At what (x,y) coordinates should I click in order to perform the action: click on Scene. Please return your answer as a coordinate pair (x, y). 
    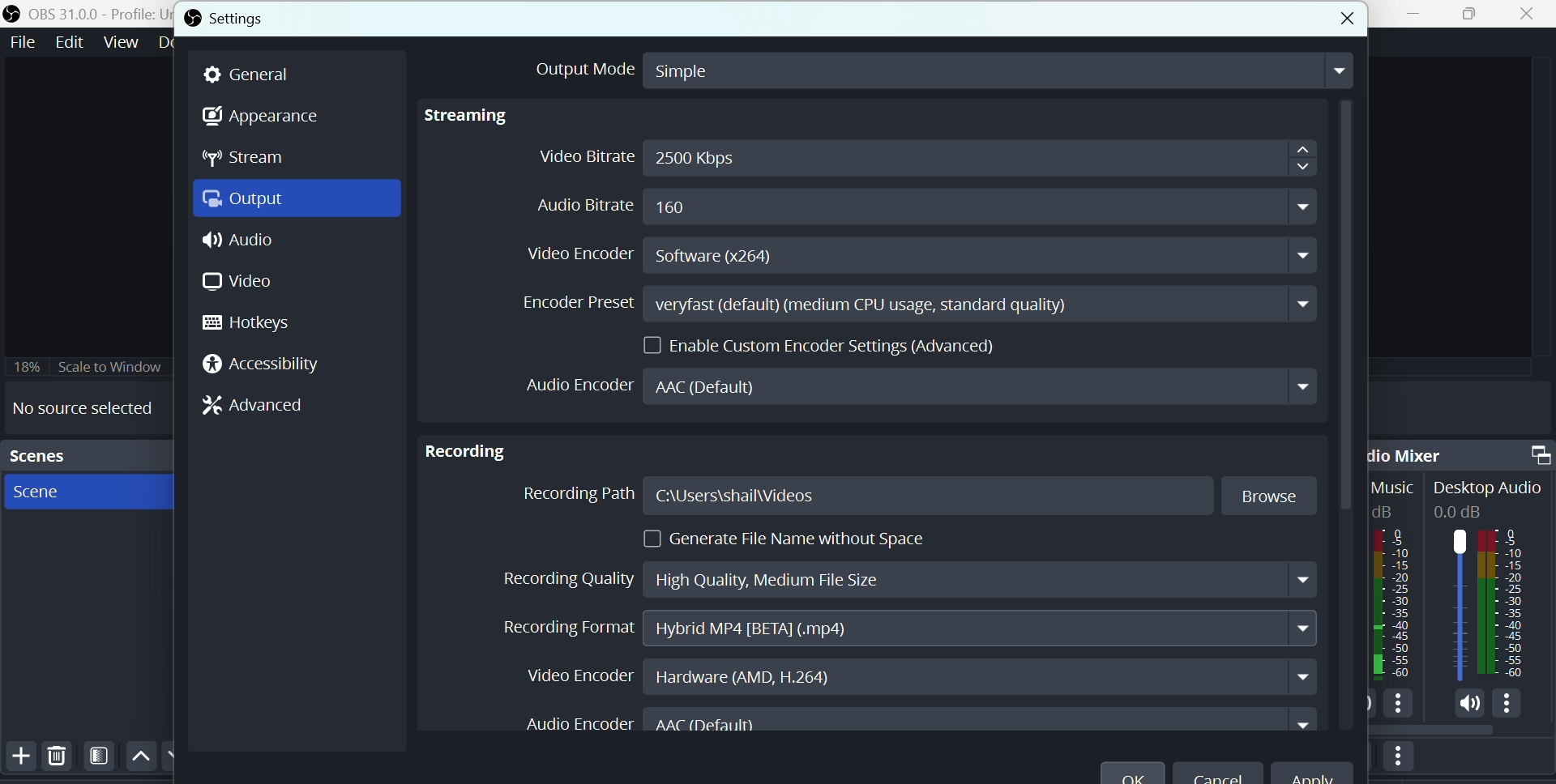
    Looking at the image, I should click on (35, 492).